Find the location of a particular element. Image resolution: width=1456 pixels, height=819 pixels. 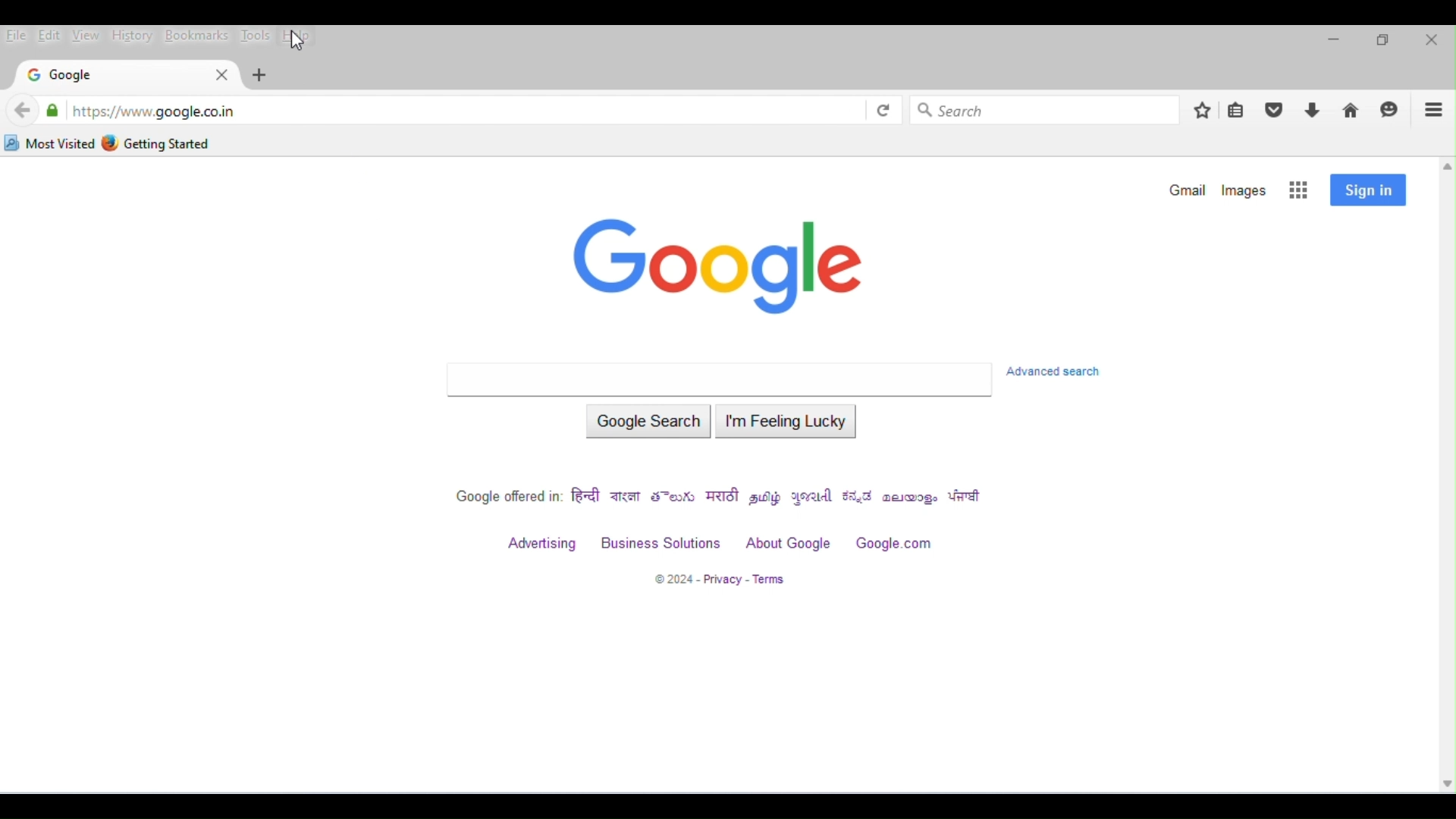

telegu is located at coordinates (675, 497).